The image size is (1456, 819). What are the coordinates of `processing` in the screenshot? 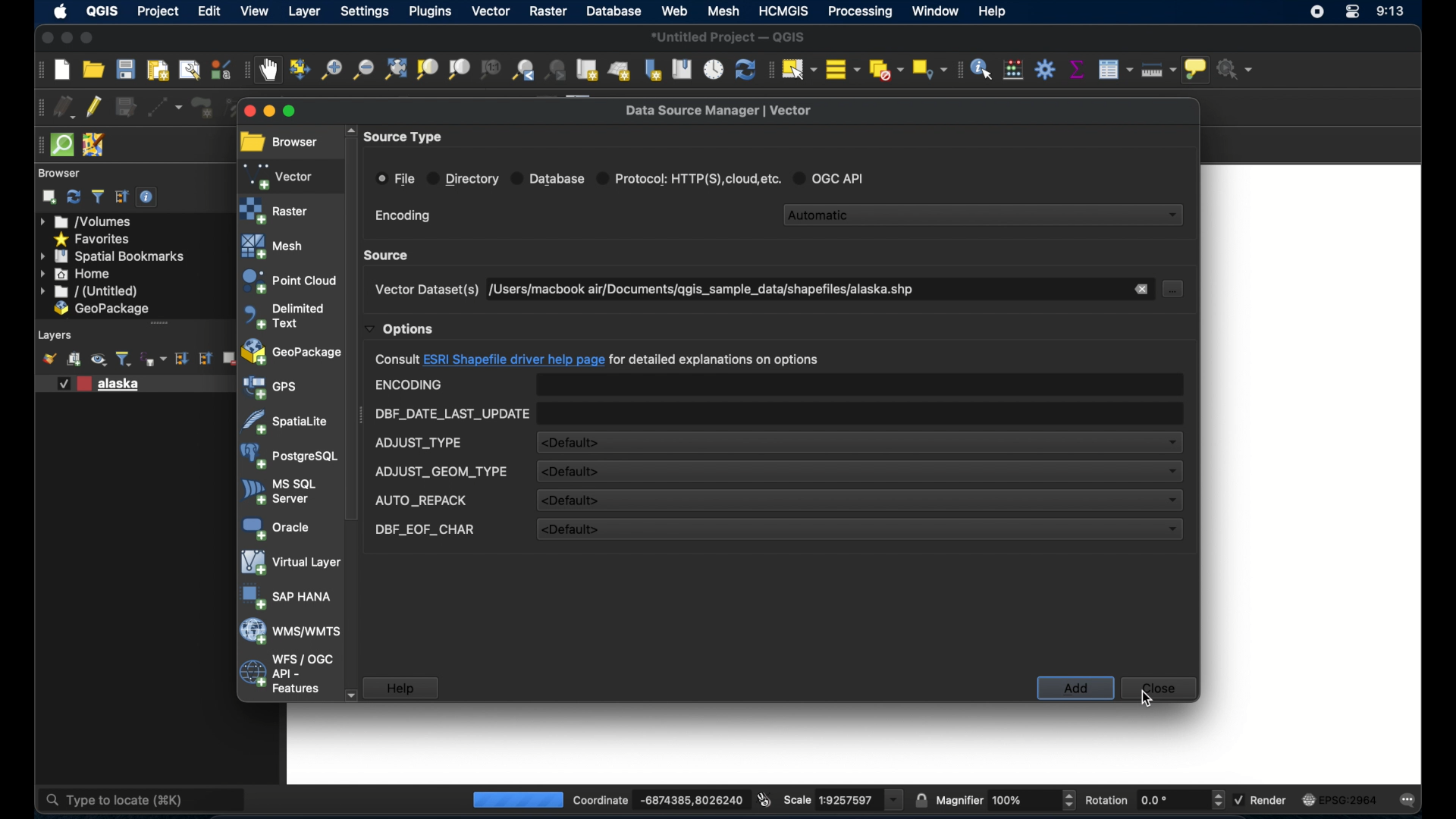 It's located at (862, 13).